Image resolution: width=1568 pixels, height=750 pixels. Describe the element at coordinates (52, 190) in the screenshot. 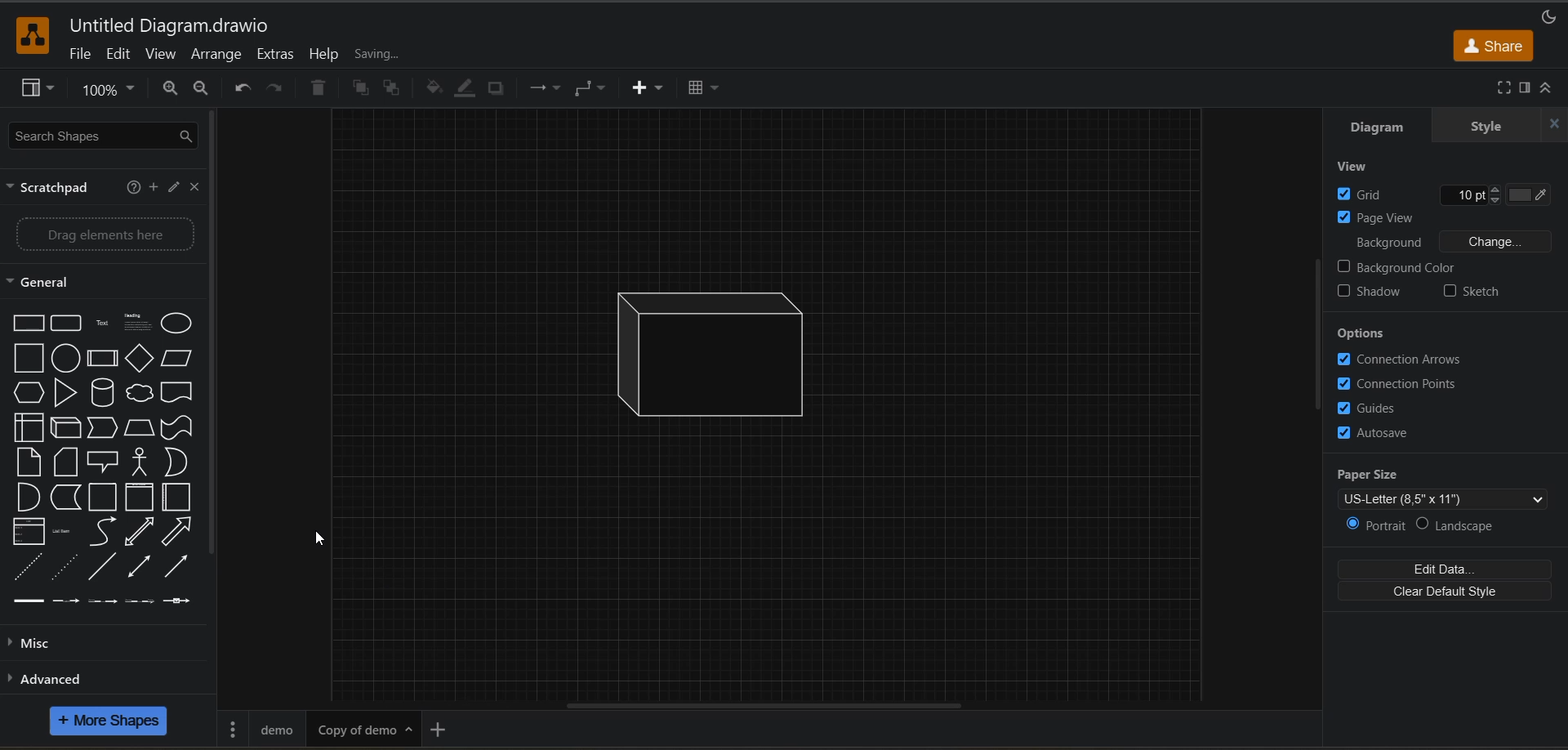

I see `scratch pad` at that location.